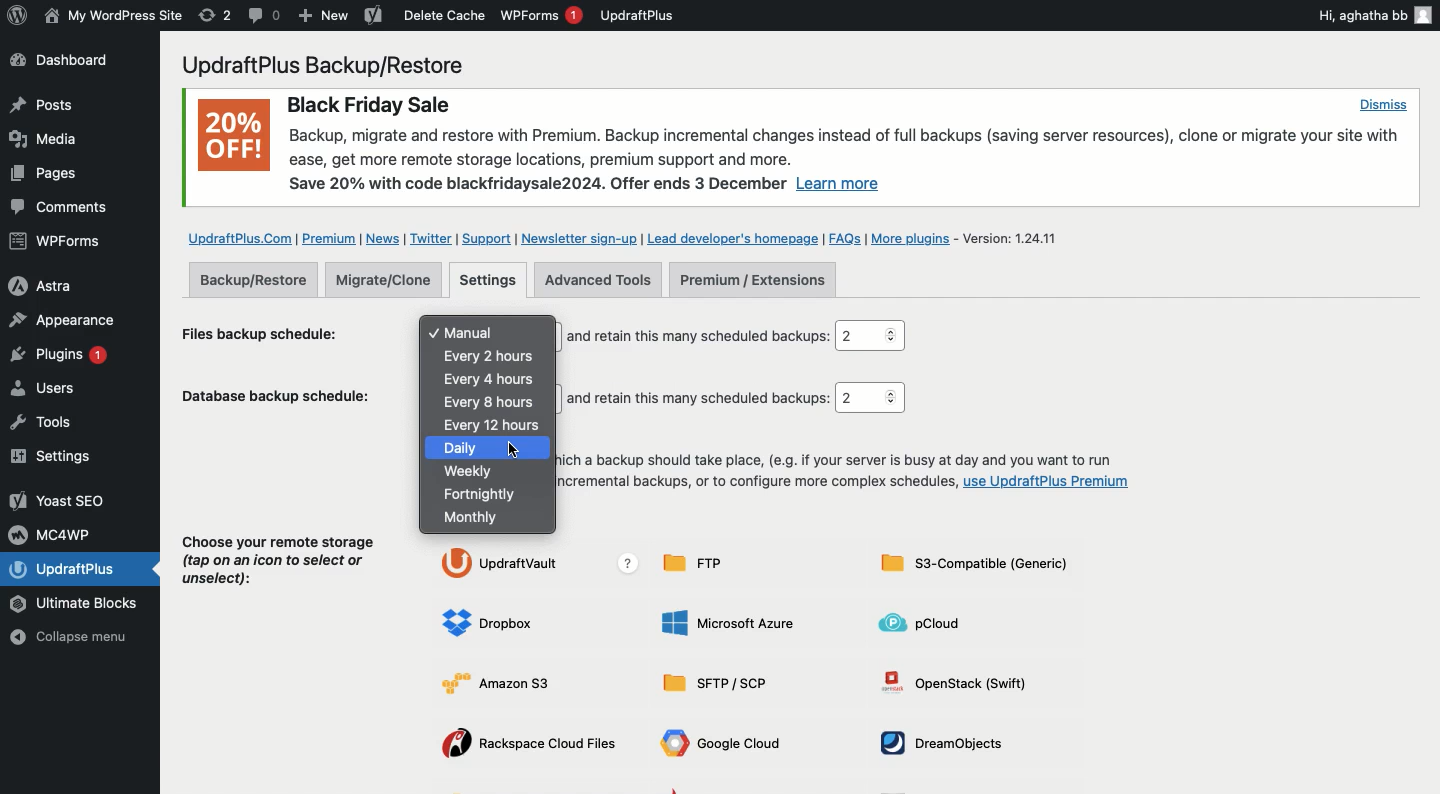 Image resolution: width=1440 pixels, height=794 pixels. What do you see at coordinates (55, 533) in the screenshot?
I see `MC4WP` at bounding box center [55, 533].